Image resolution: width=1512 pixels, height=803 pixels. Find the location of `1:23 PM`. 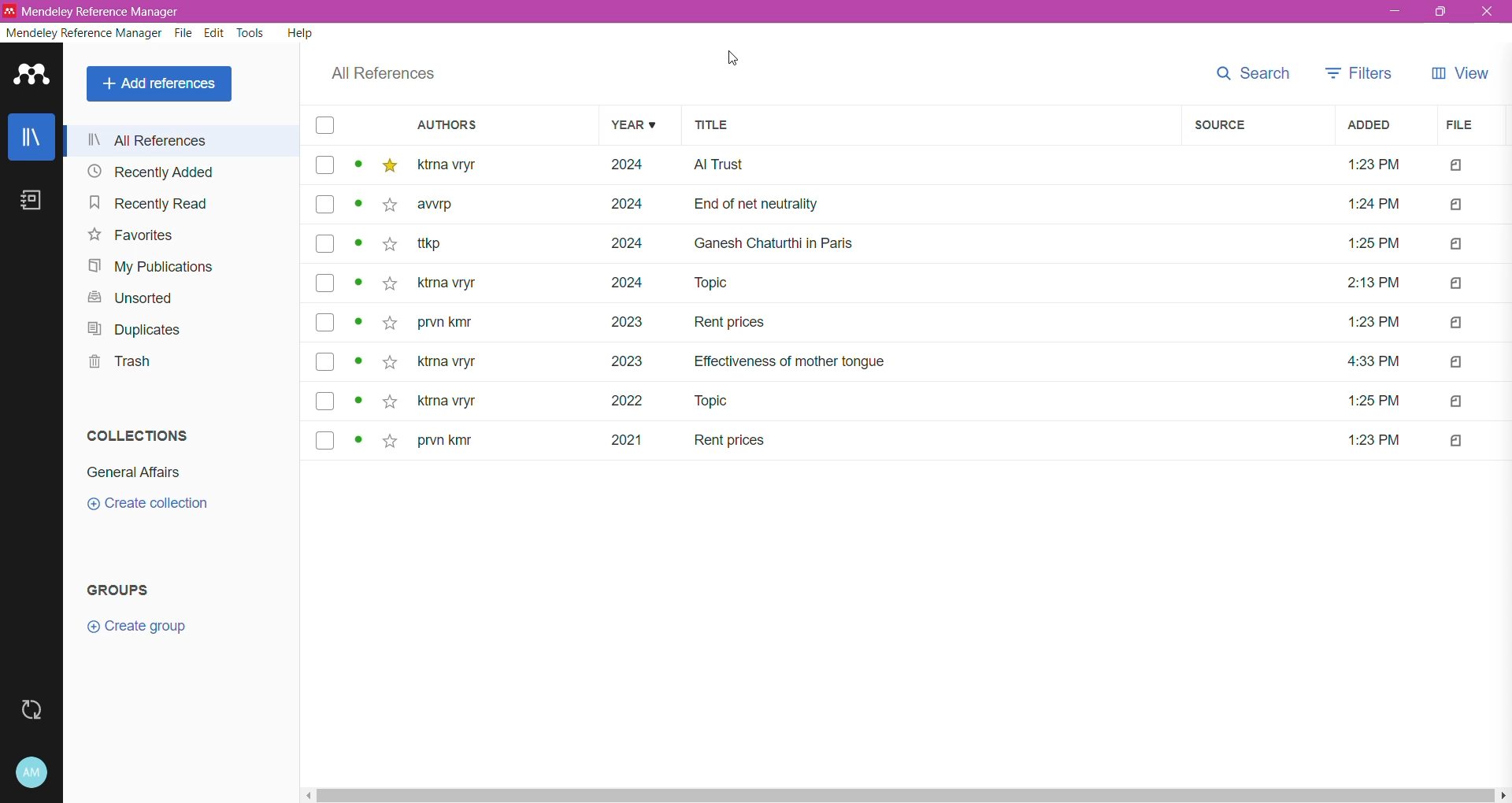

1:23 PM is located at coordinates (1374, 162).